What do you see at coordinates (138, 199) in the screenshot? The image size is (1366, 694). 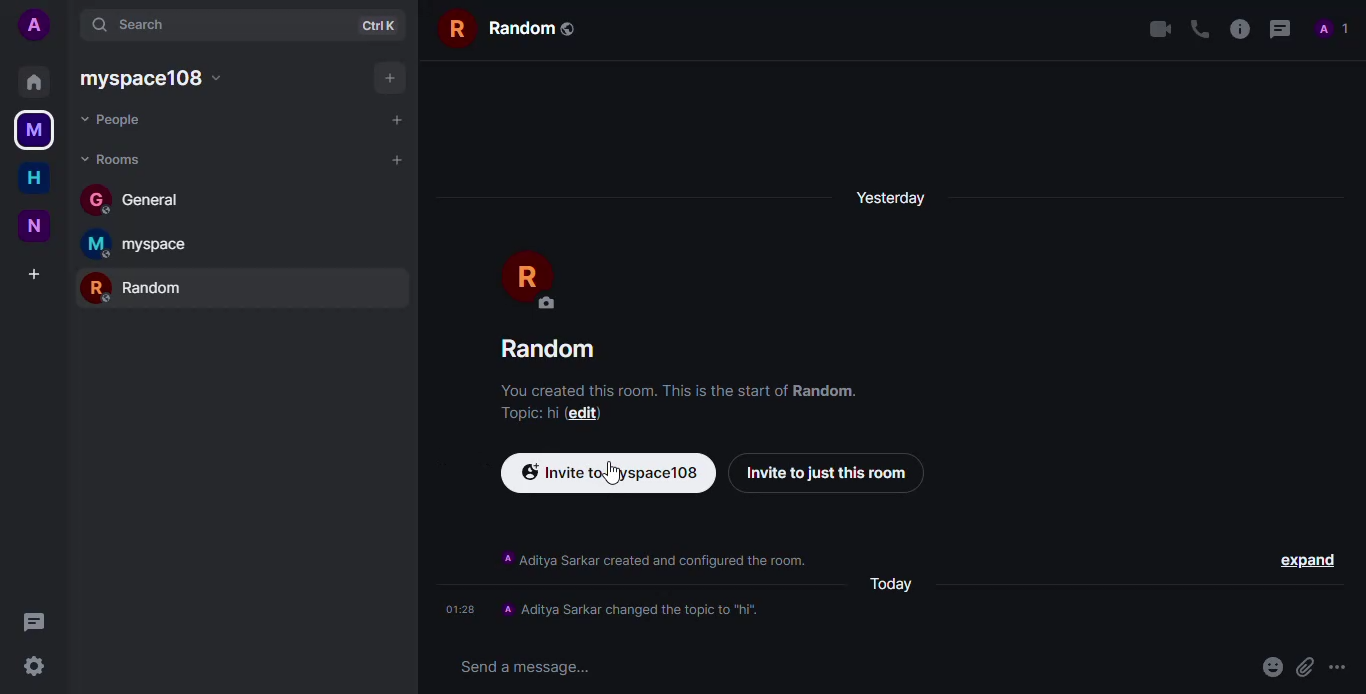 I see `general` at bounding box center [138, 199].